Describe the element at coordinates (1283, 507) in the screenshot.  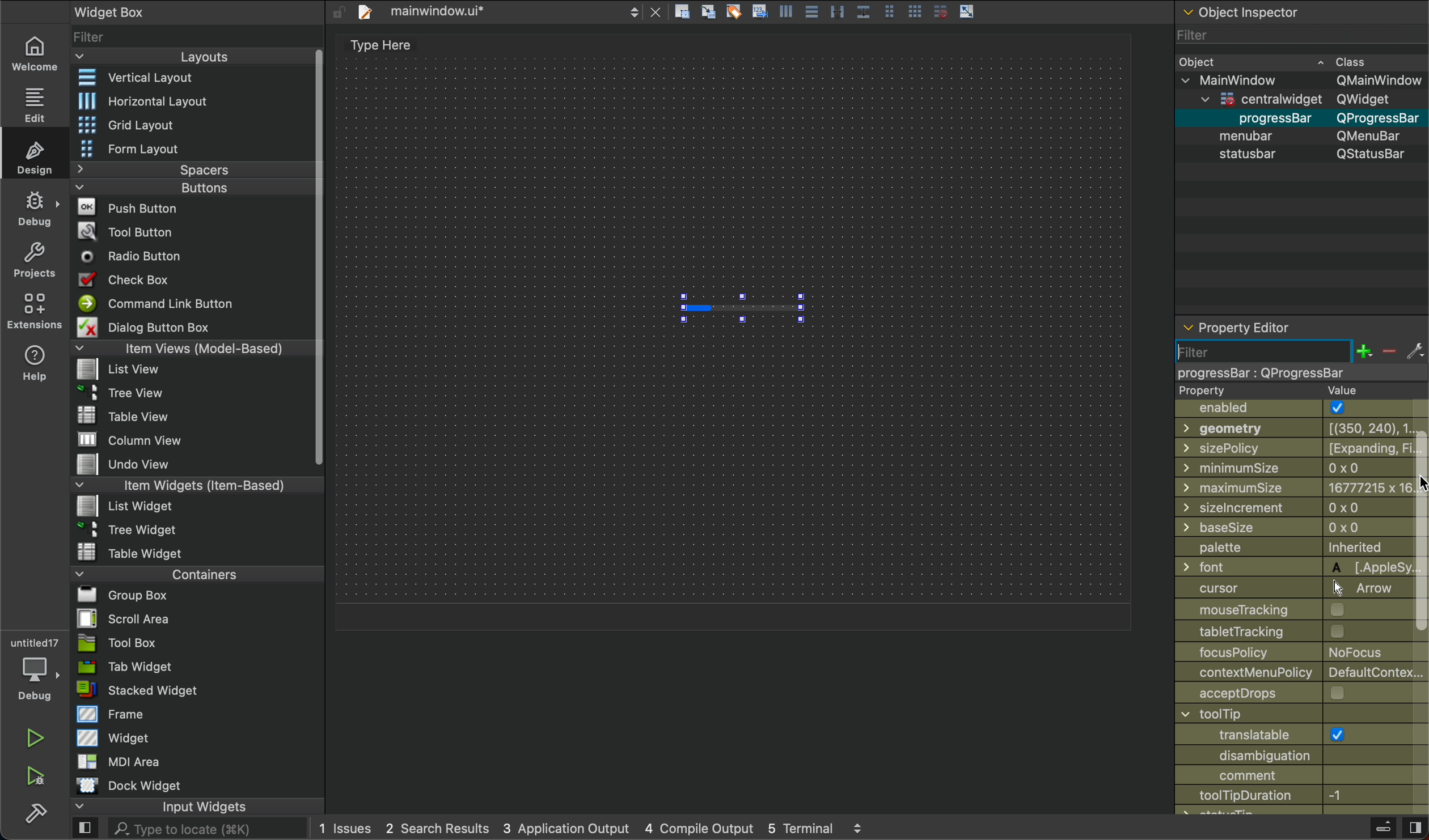
I see `Size Increment` at that location.